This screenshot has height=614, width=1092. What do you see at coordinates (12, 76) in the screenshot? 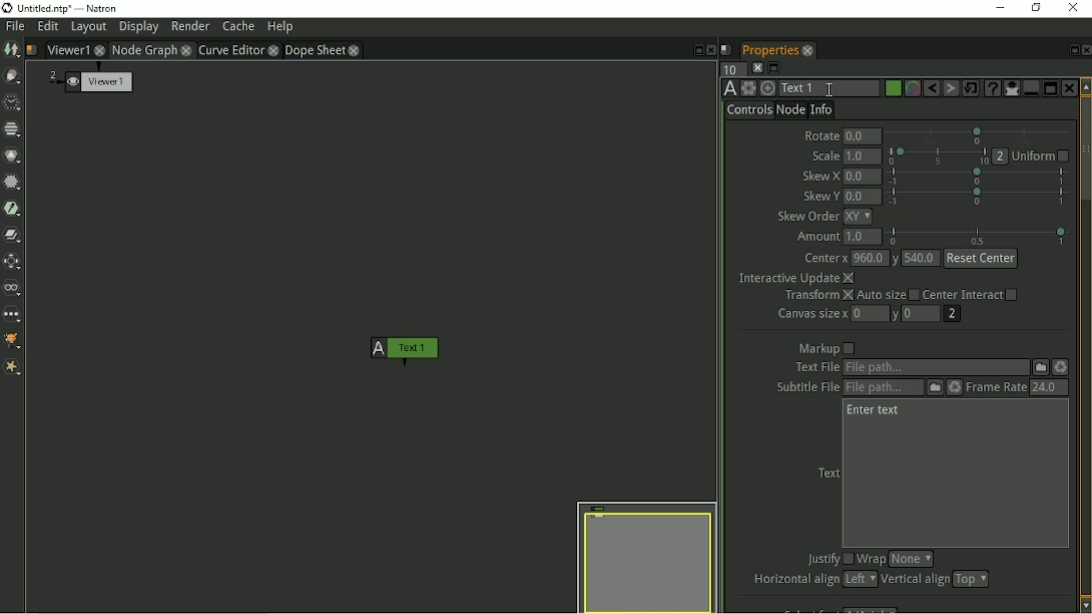
I see `Draw` at bounding box center [12, 76].